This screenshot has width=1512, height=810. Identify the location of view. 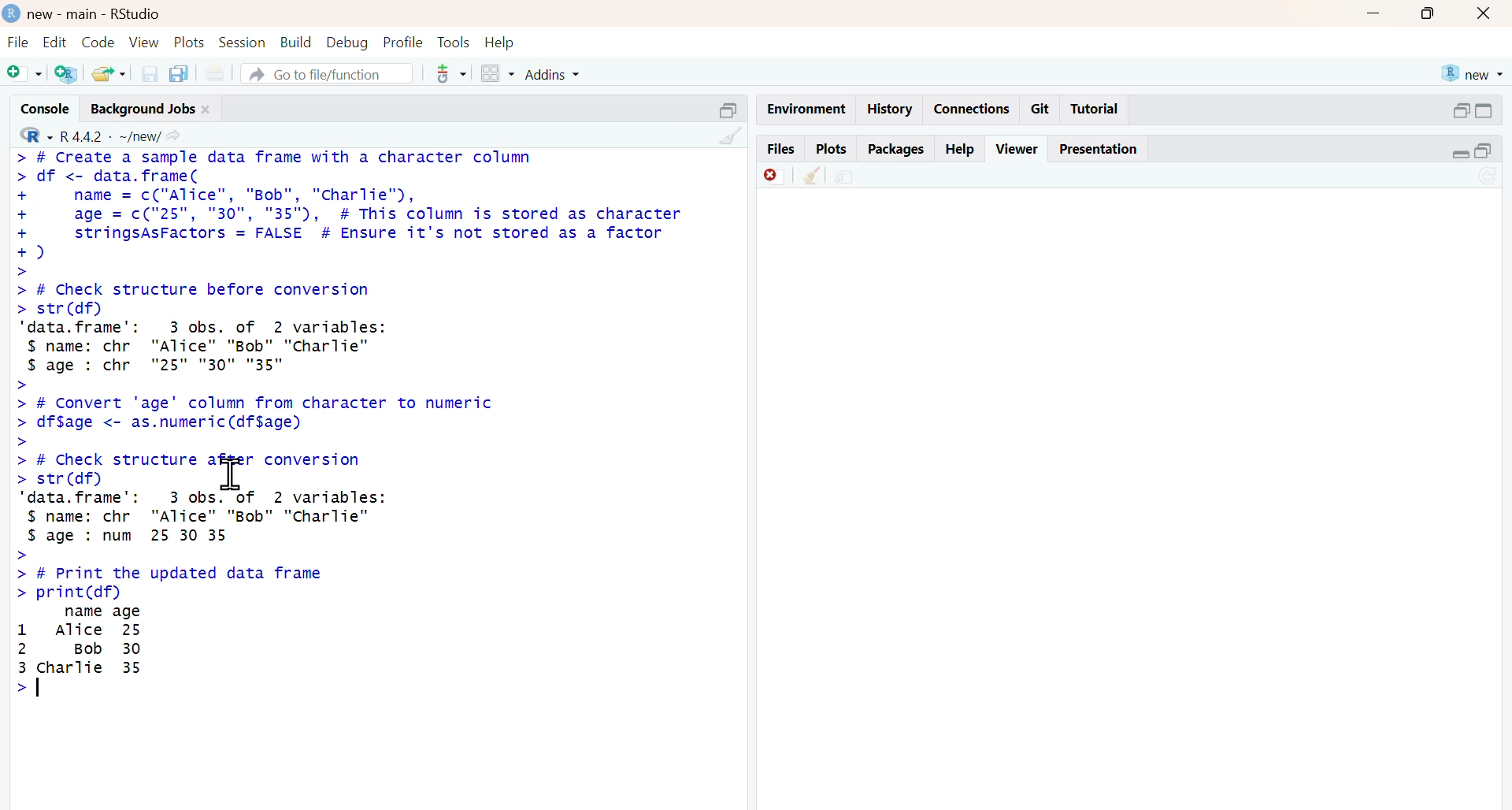
(144, 43).